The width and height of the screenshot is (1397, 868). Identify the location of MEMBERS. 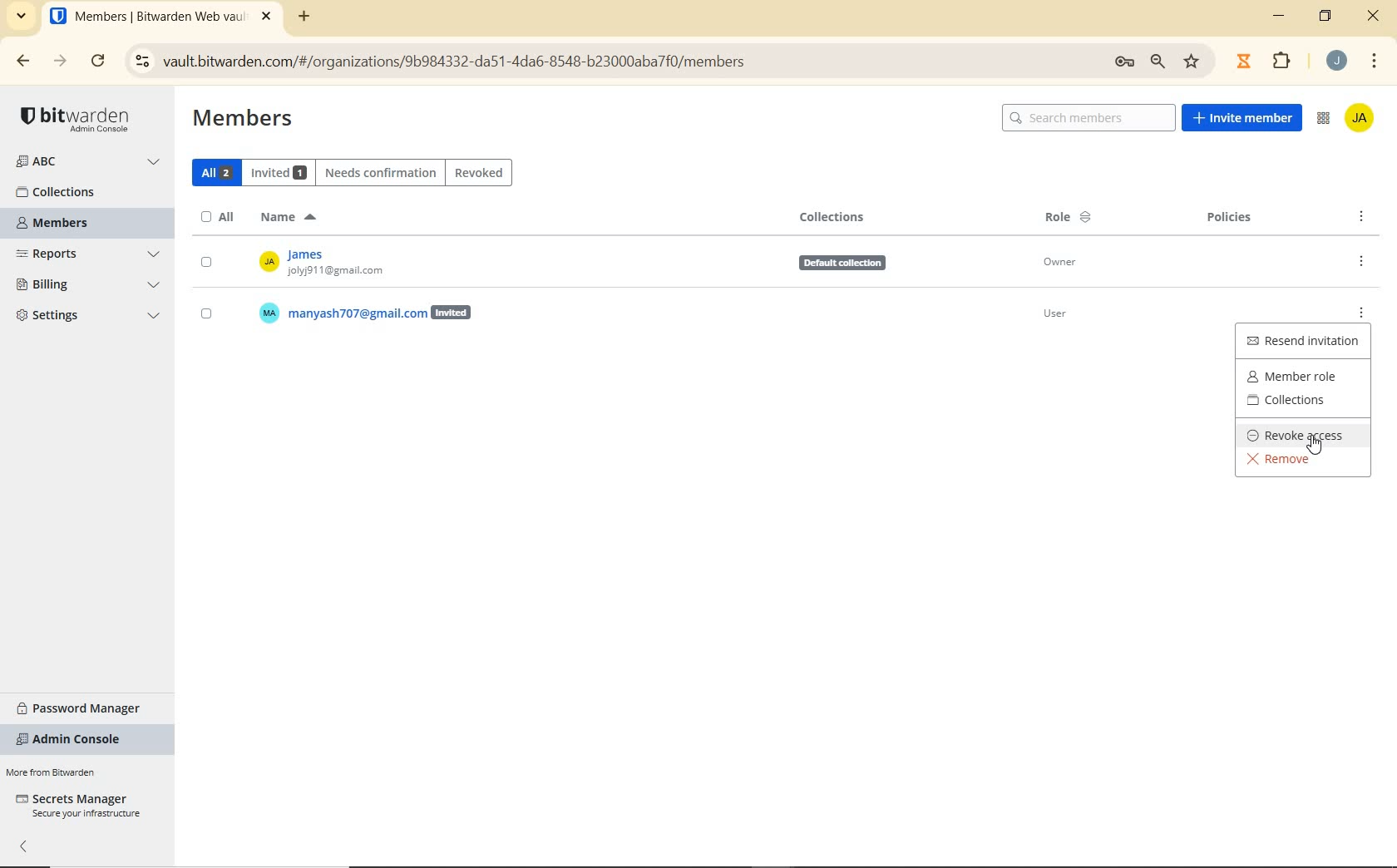
(243, 120).